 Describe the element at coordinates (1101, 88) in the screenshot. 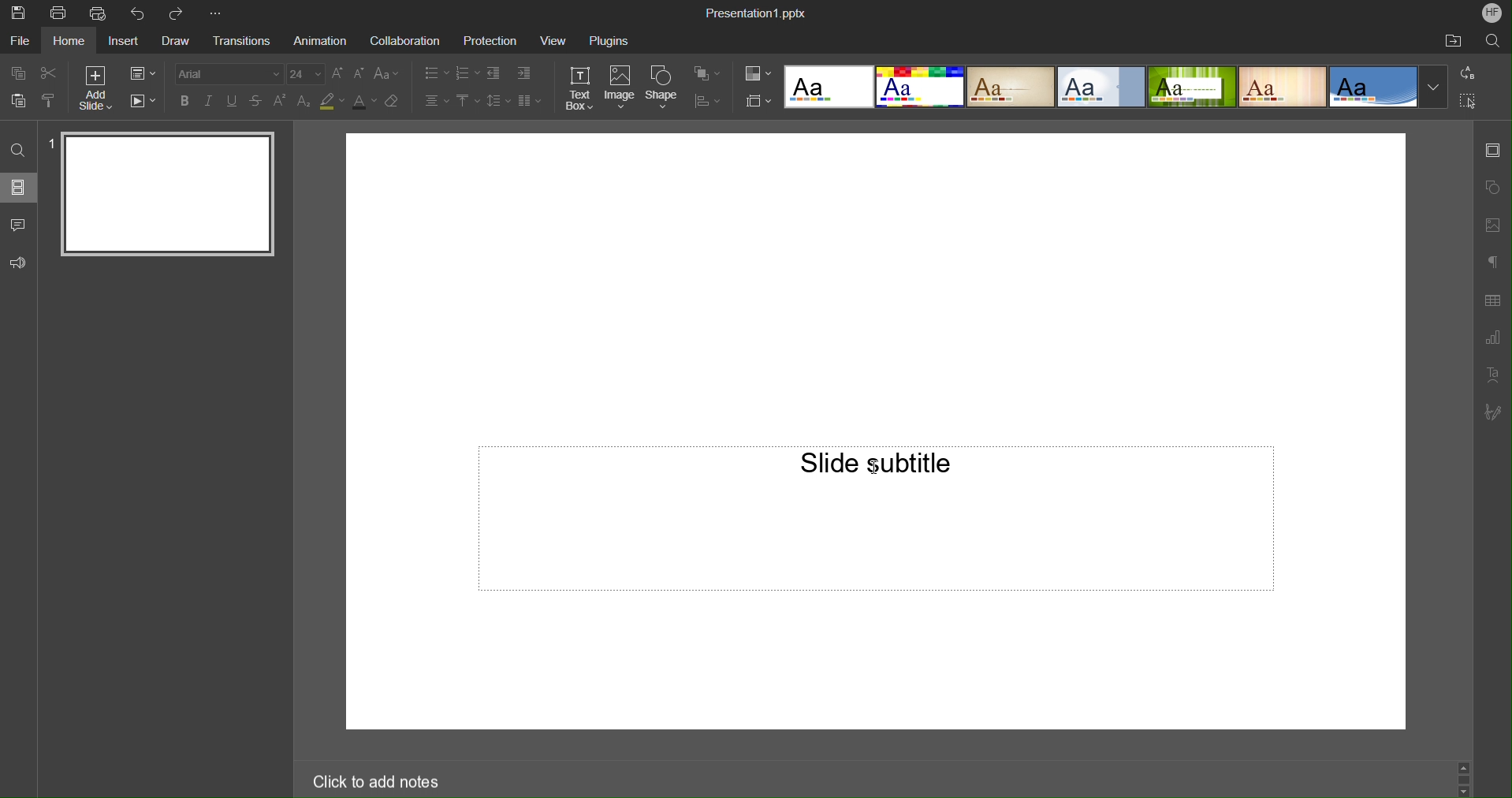

I see `template` at that location.